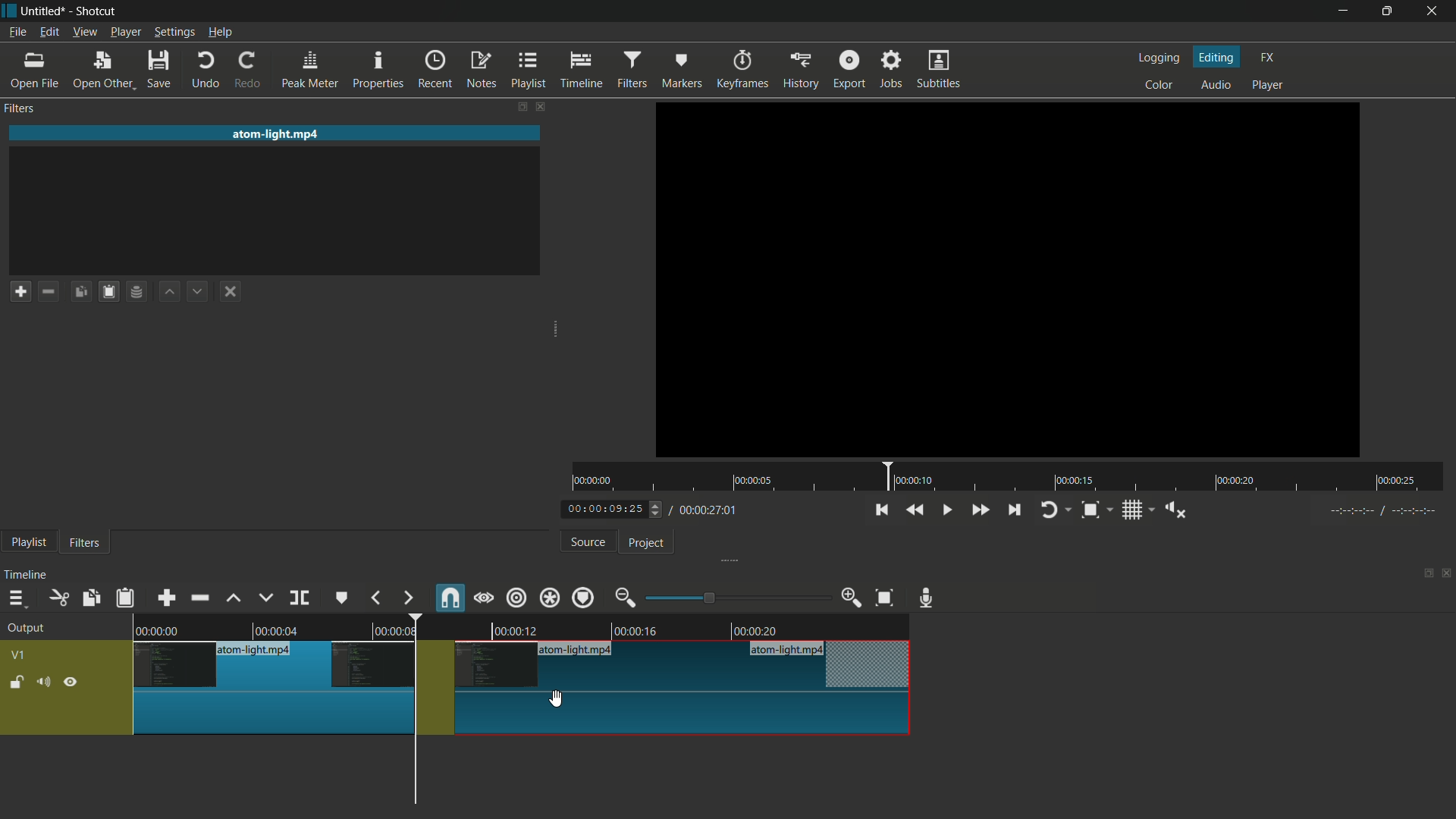  I want to click on timeline menu, so click(16, 598).